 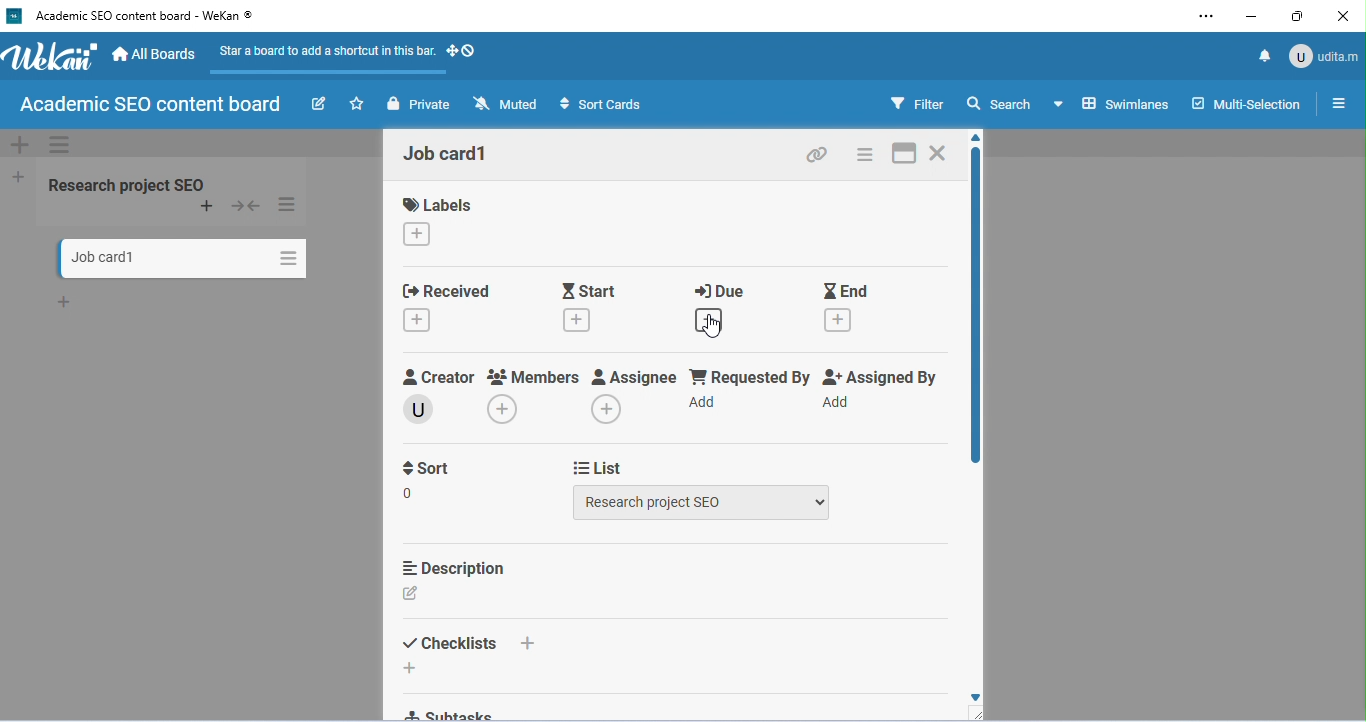 I want to click on WeKan logo, so click(x=51, y=57).